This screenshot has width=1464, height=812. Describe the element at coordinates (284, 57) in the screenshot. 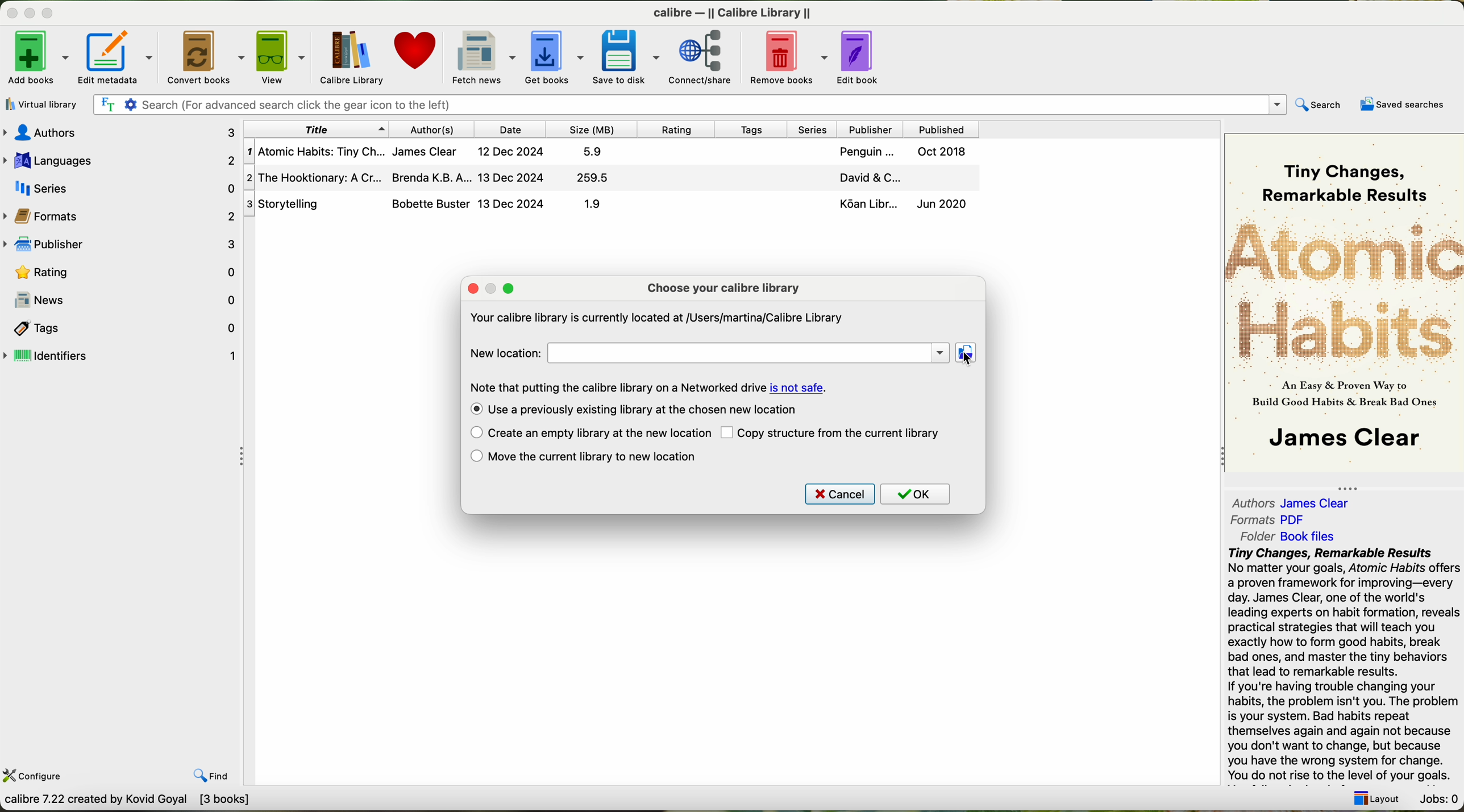

I see `view` at that location.